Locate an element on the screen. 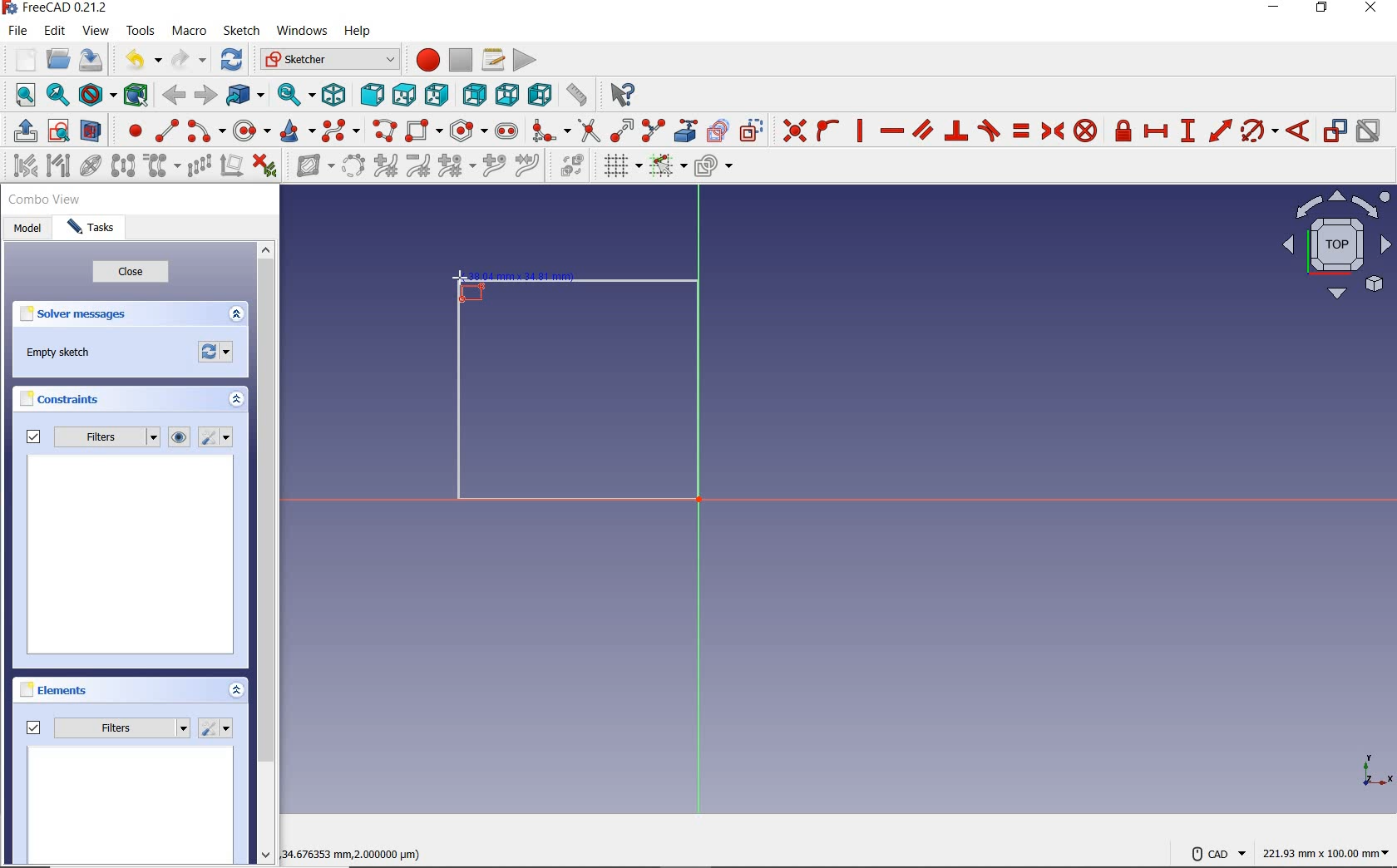 This screenshot has width=1397, height=868. back is located at coordinates (176, 95).